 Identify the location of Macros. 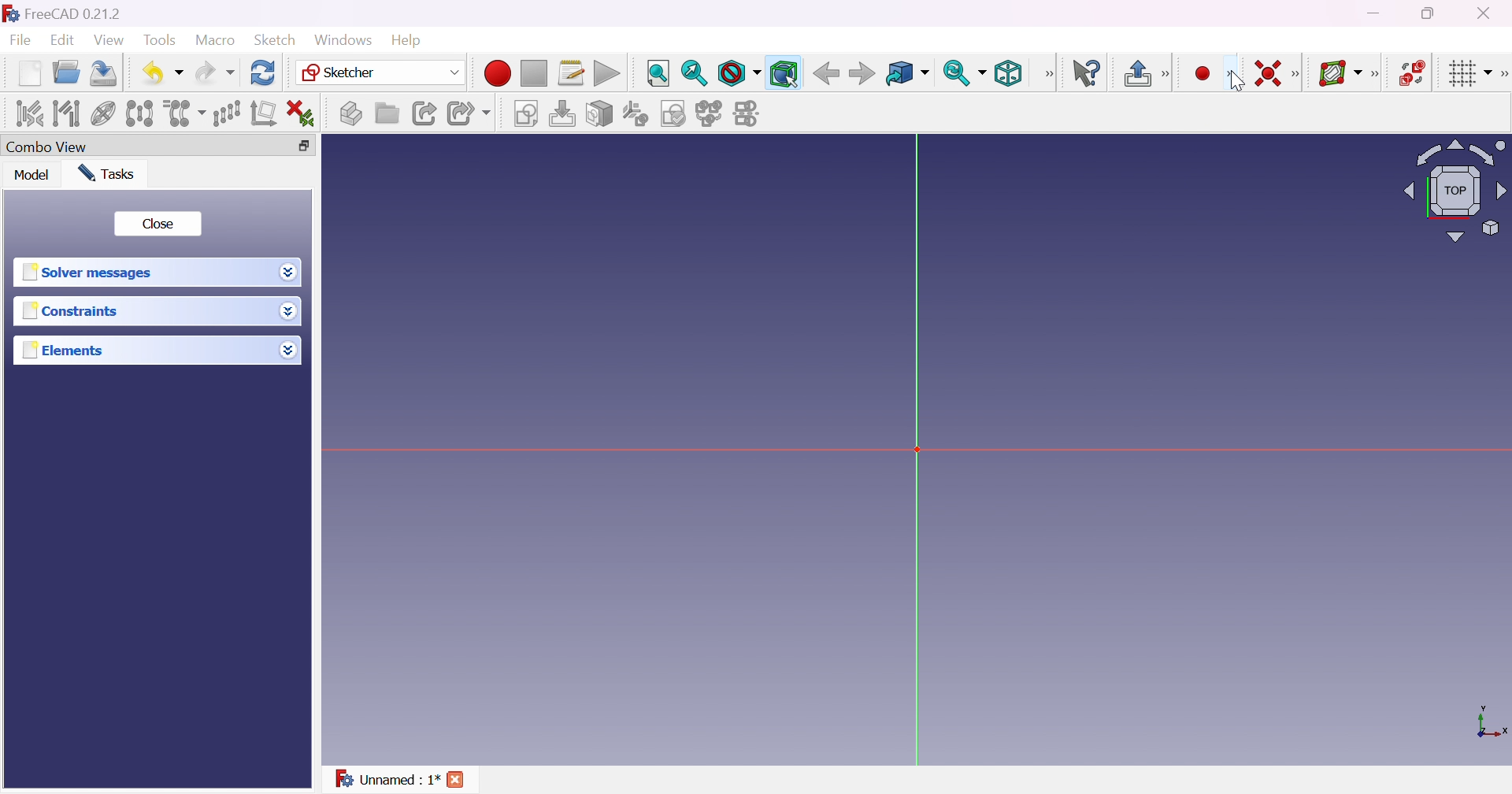
(572, 72).